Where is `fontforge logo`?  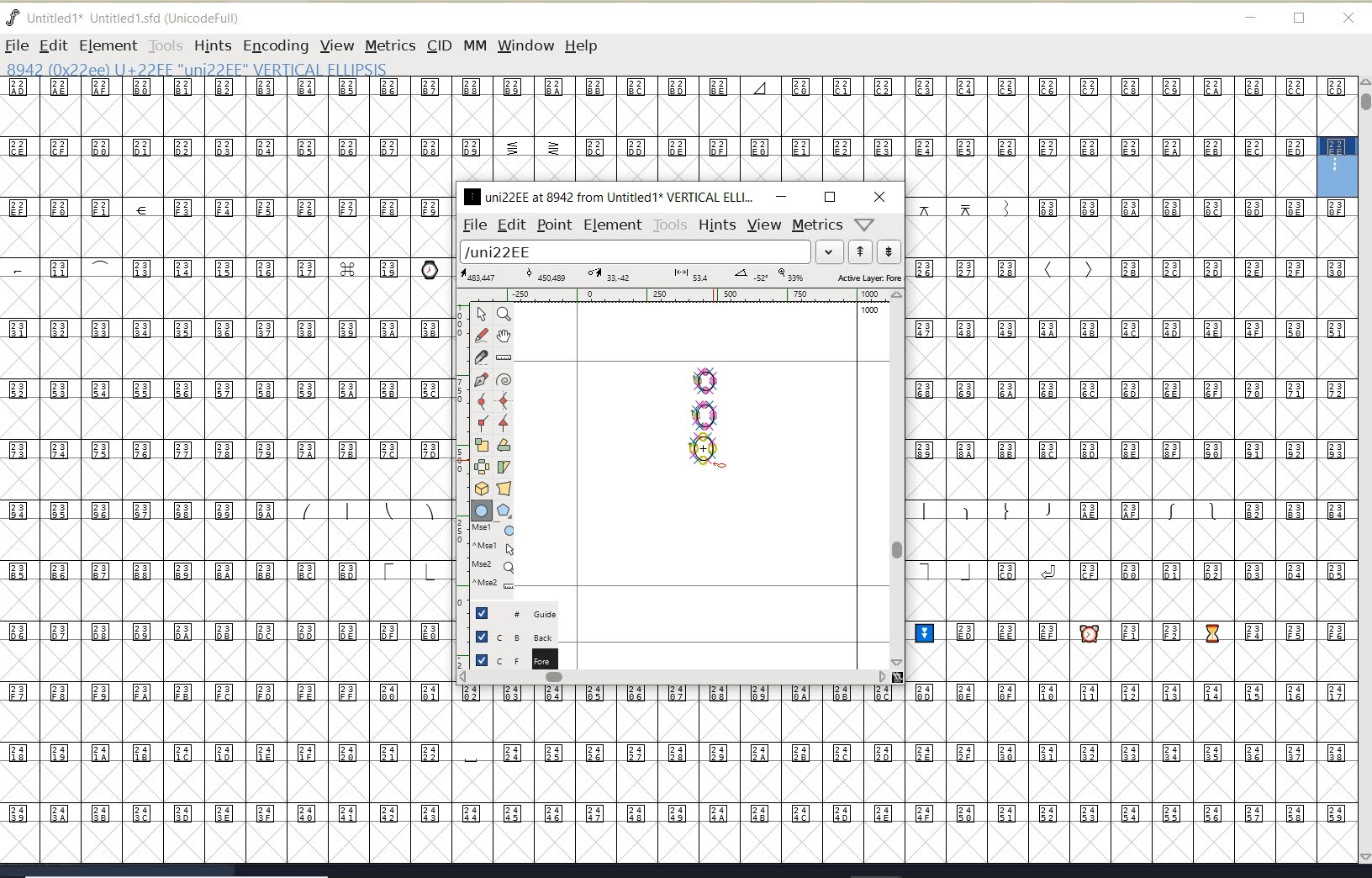
fontforge logo is located at coordinates (13, 18).